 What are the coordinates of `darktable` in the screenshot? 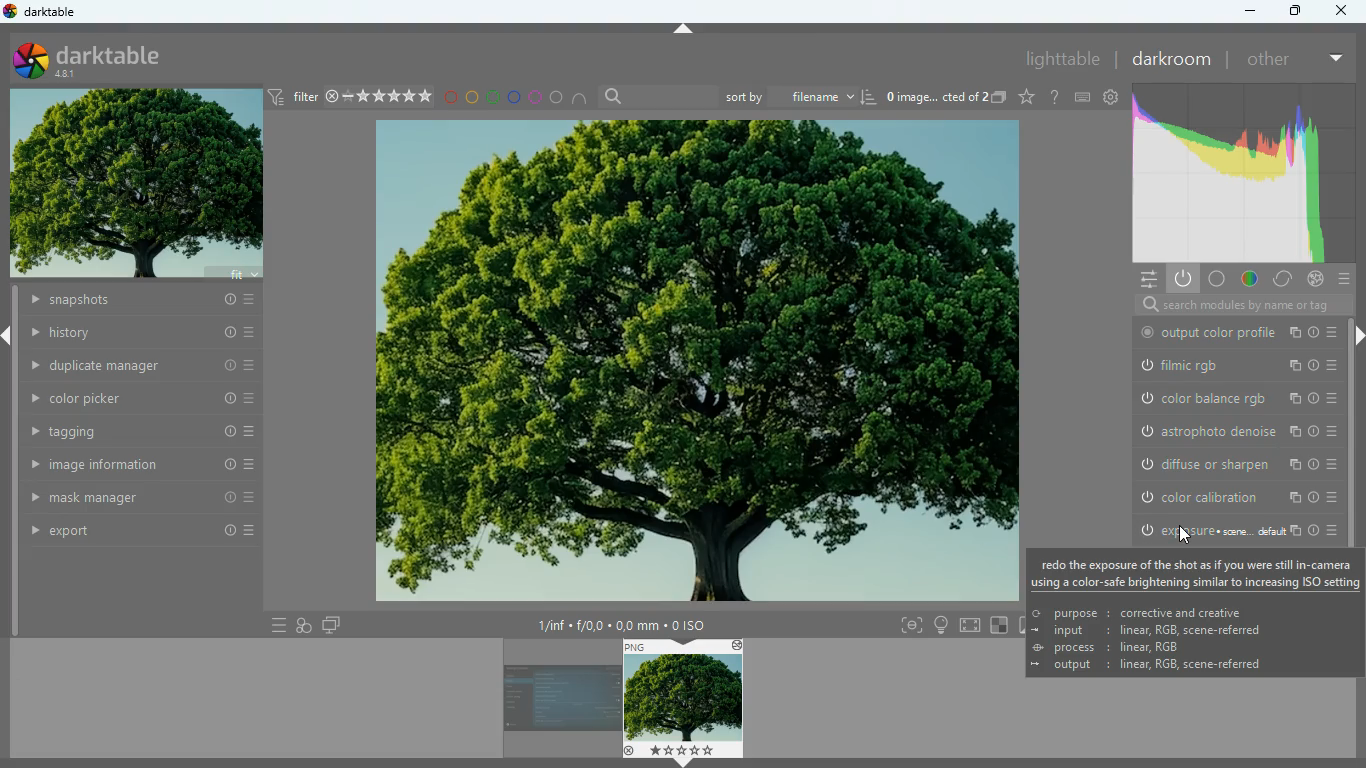 It's located at (99, 60).